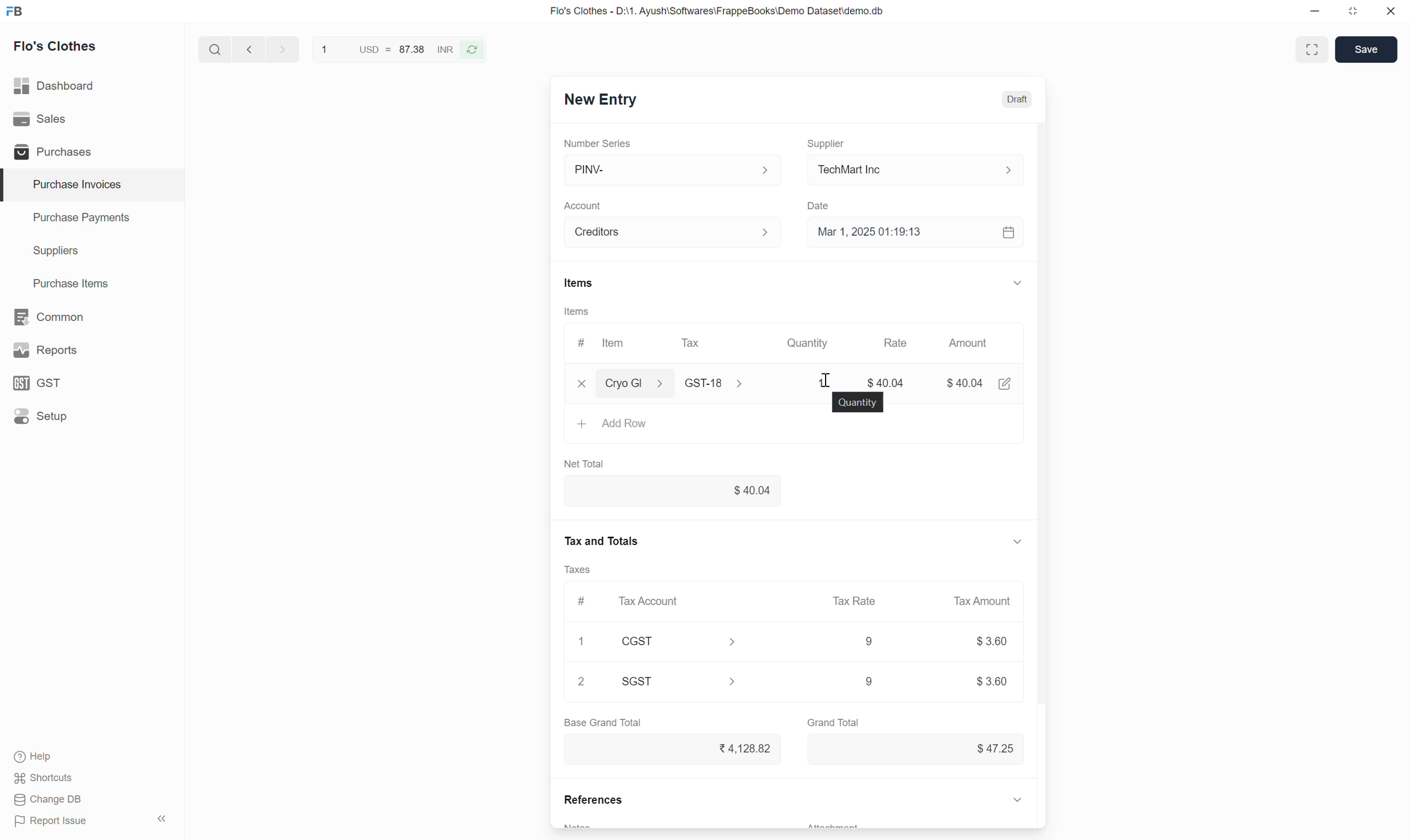 This screenshot has height=840, width=1410. Describe the element at coordinates (582, 385) in the screenshot. I see `x` at that location.